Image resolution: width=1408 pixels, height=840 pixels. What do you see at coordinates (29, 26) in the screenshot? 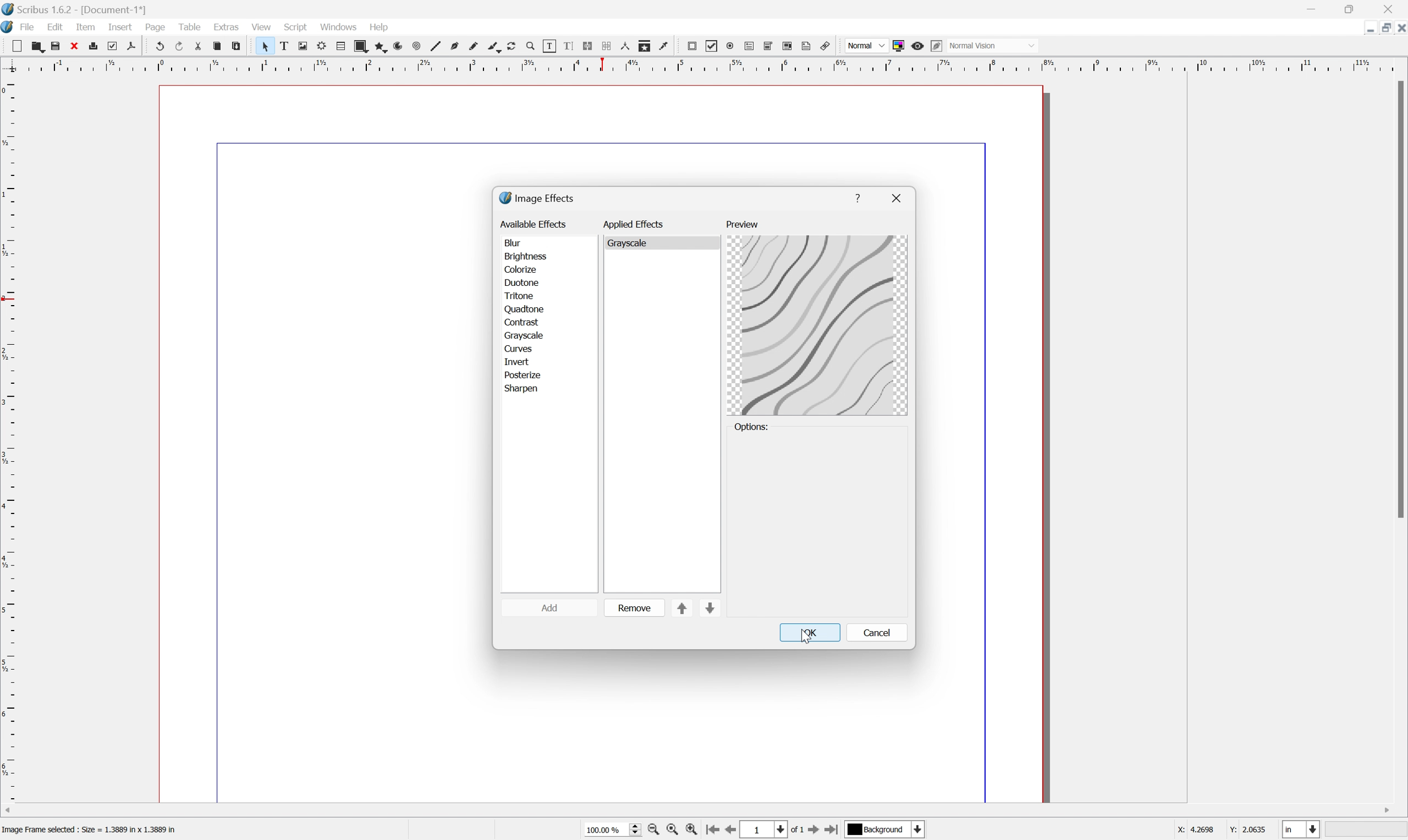
I see `File` at bounding box center [29, 26].